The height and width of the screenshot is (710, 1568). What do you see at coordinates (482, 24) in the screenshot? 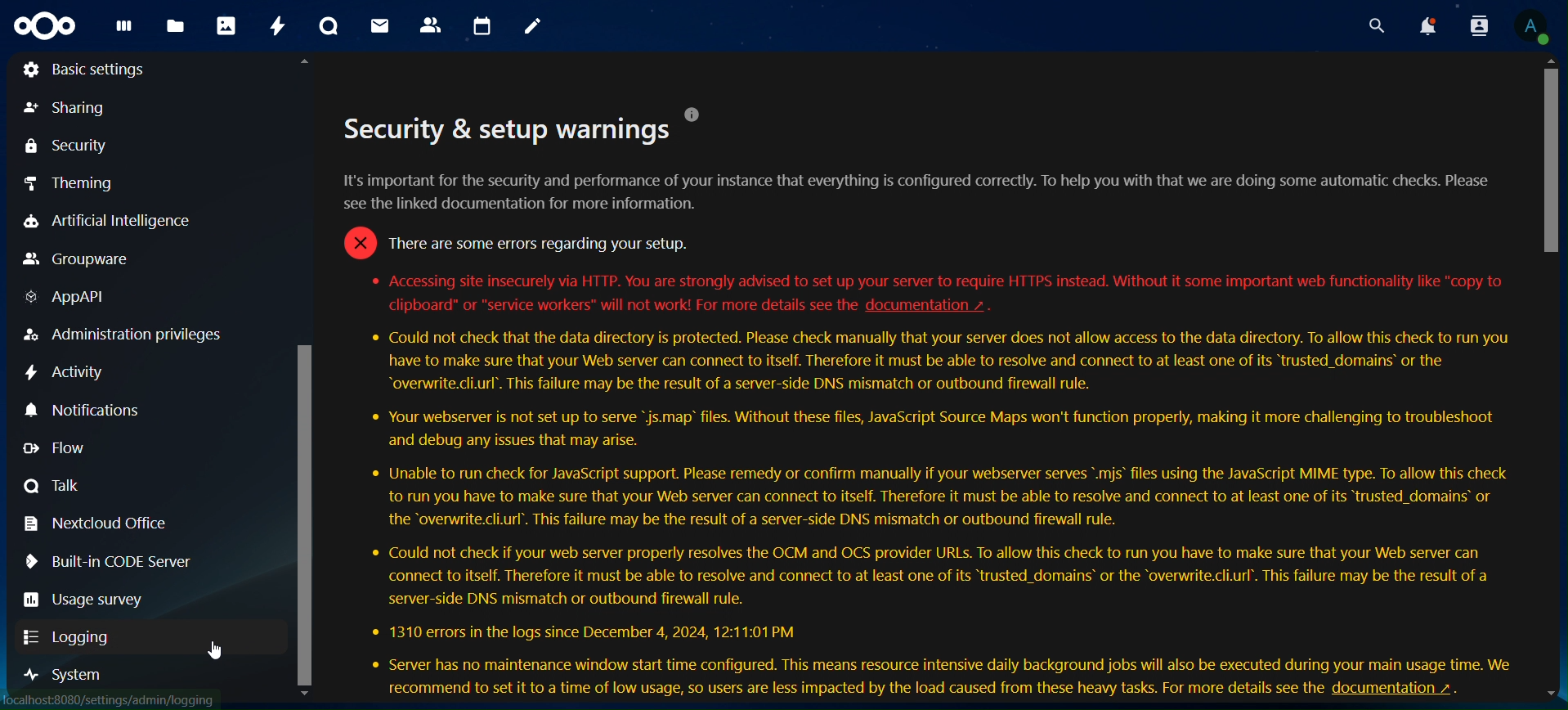
I see `calendar` at bounding box center [482, 24].